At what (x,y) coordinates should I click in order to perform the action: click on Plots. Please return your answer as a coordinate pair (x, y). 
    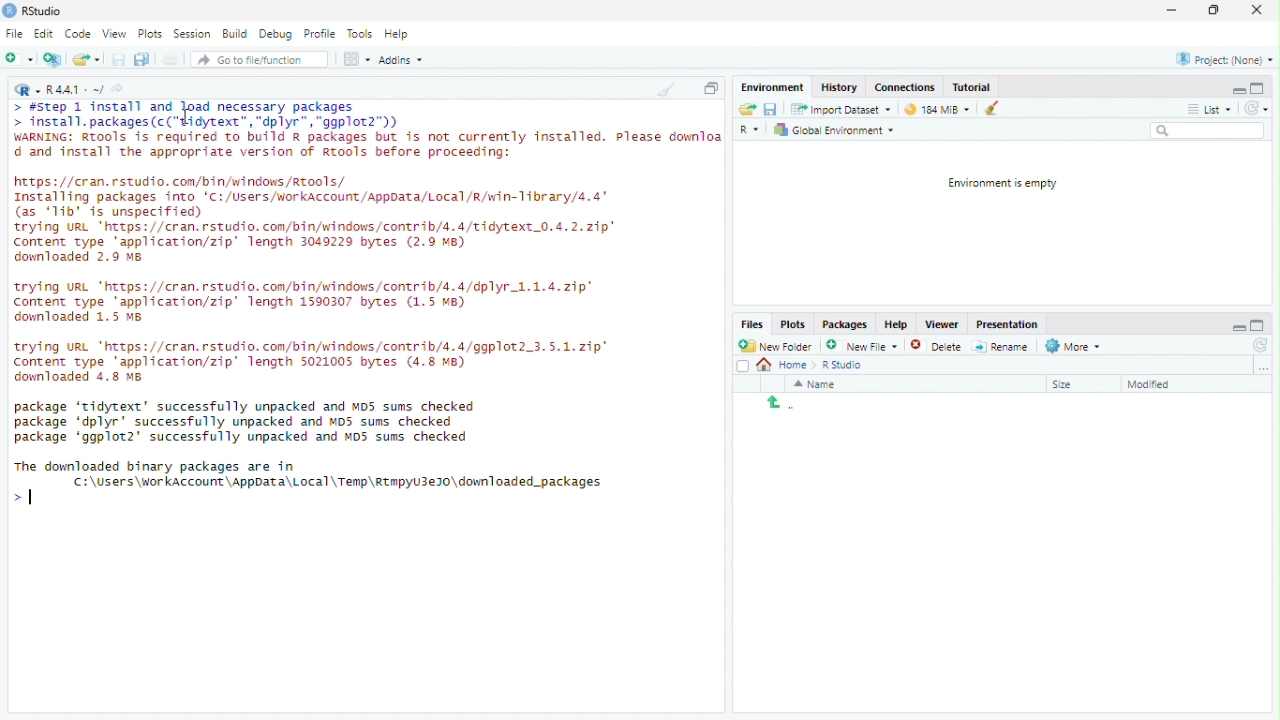
    Looking at the image, I should click on (794, 325).